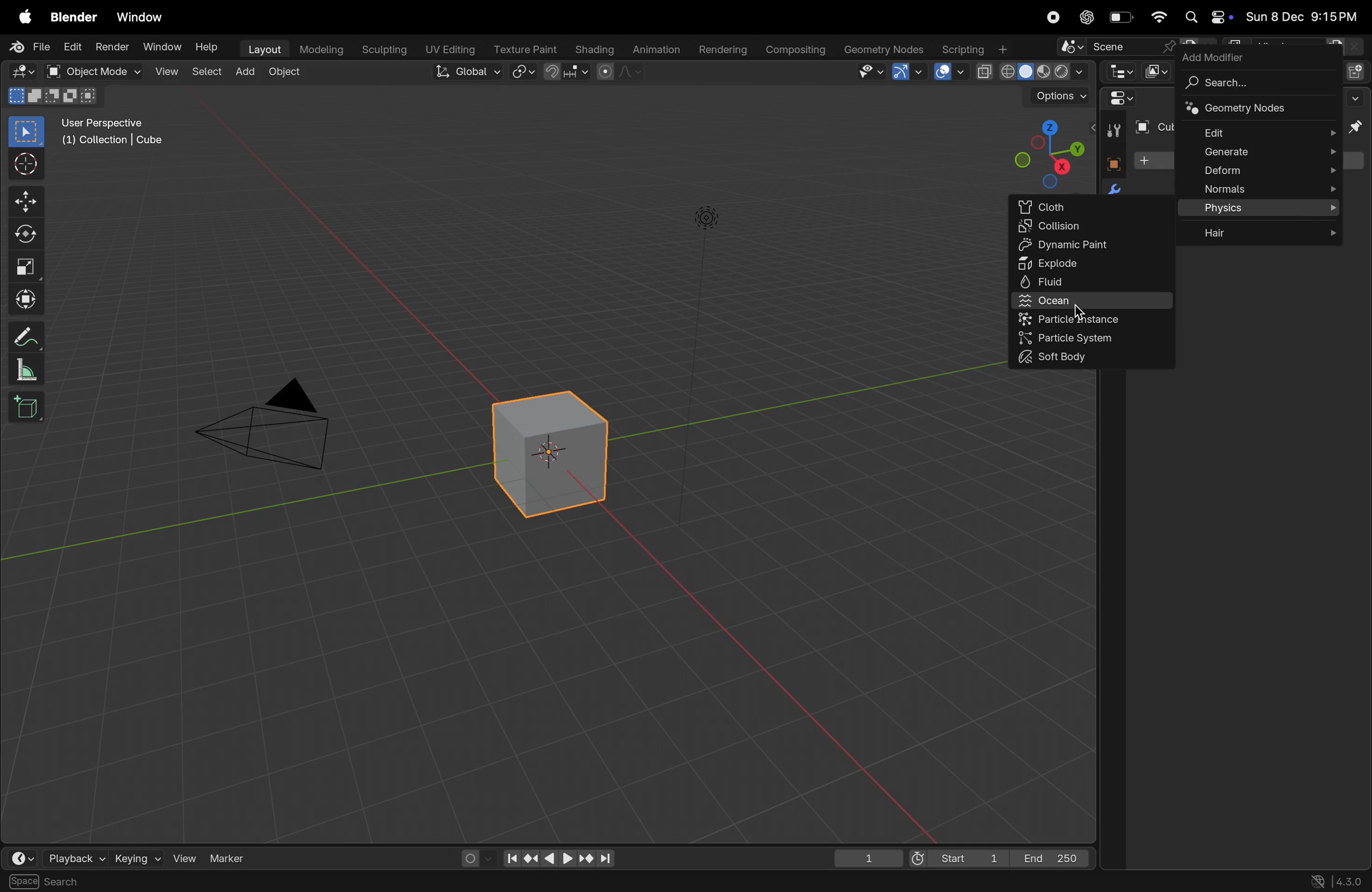  What do you see at coordinates (26, 372) in the screenshot?
I see `measure ` at bounding box center [26, 372].